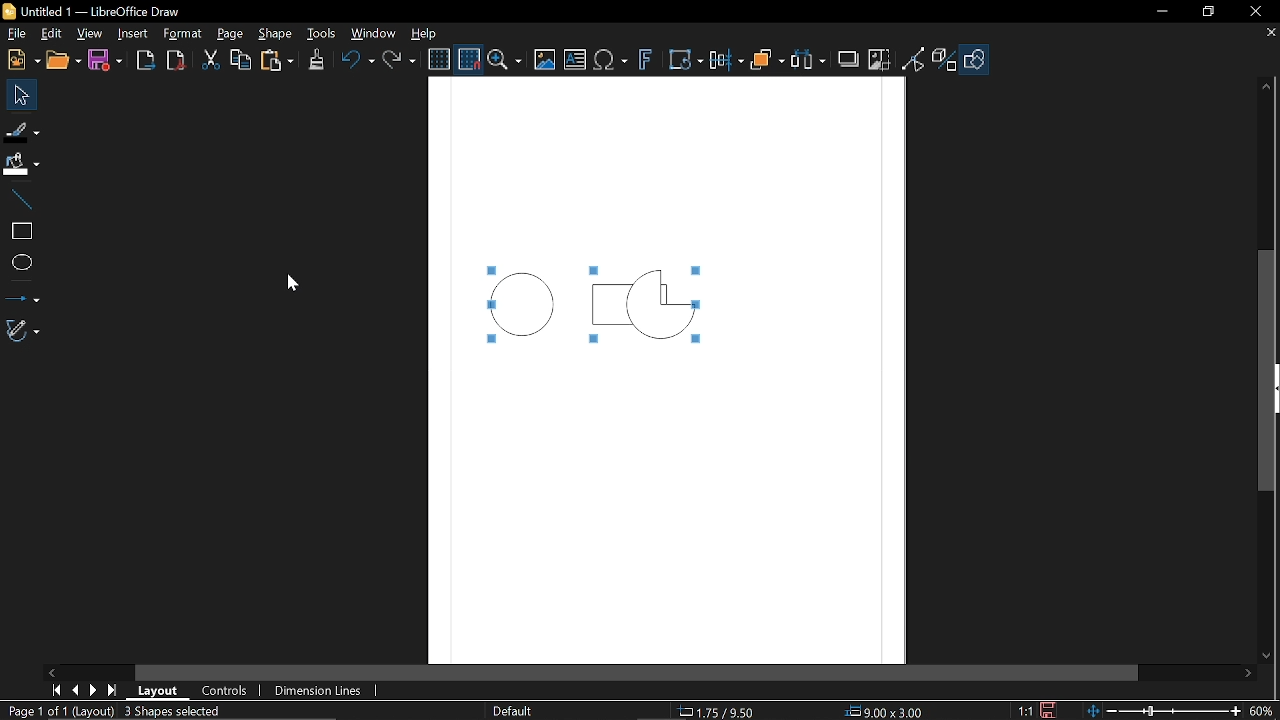  I want to click on Tools, so click(322, 34).